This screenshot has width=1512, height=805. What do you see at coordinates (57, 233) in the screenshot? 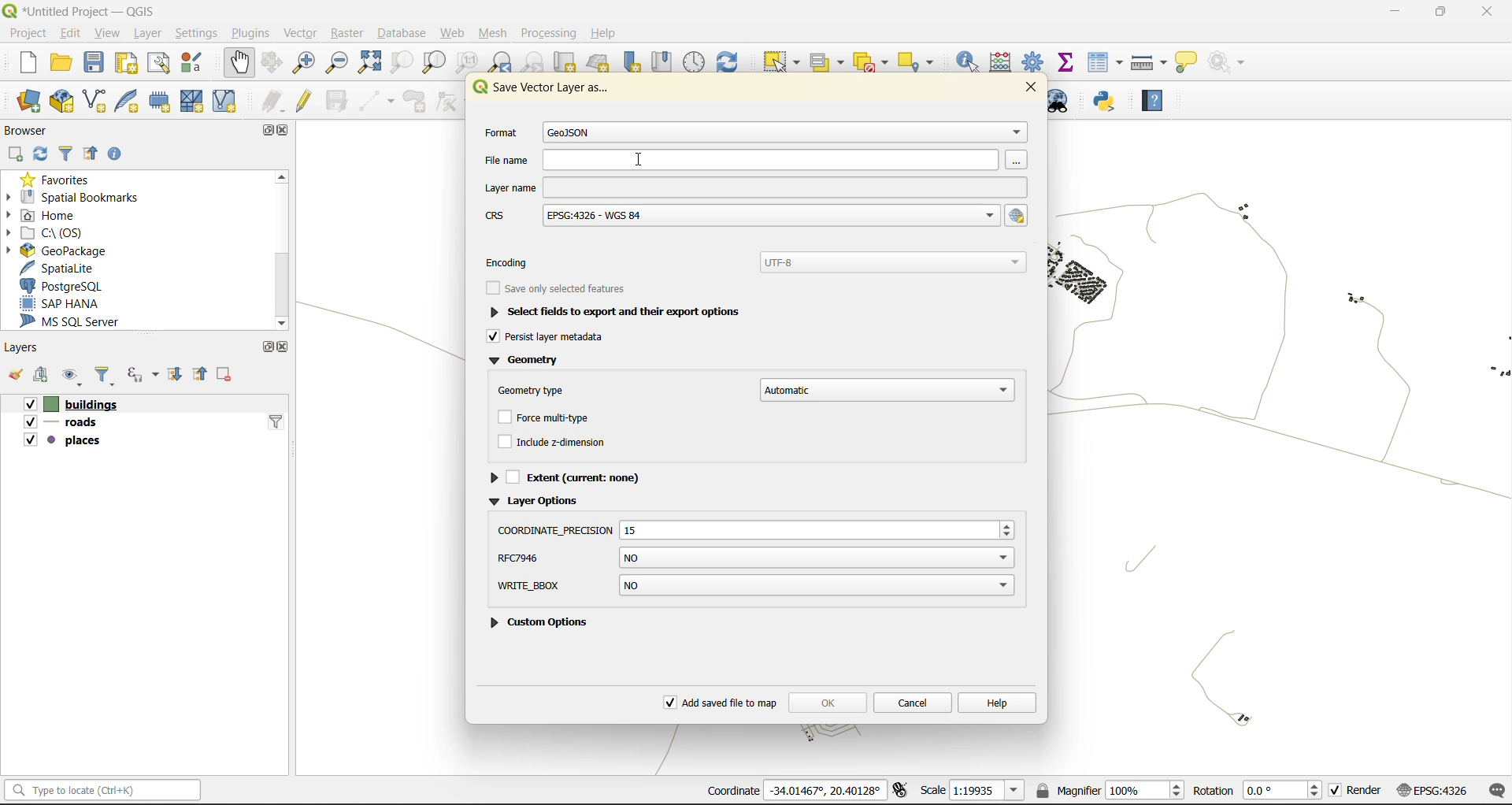
I see `c\:os` at bounding box center [57, 233].